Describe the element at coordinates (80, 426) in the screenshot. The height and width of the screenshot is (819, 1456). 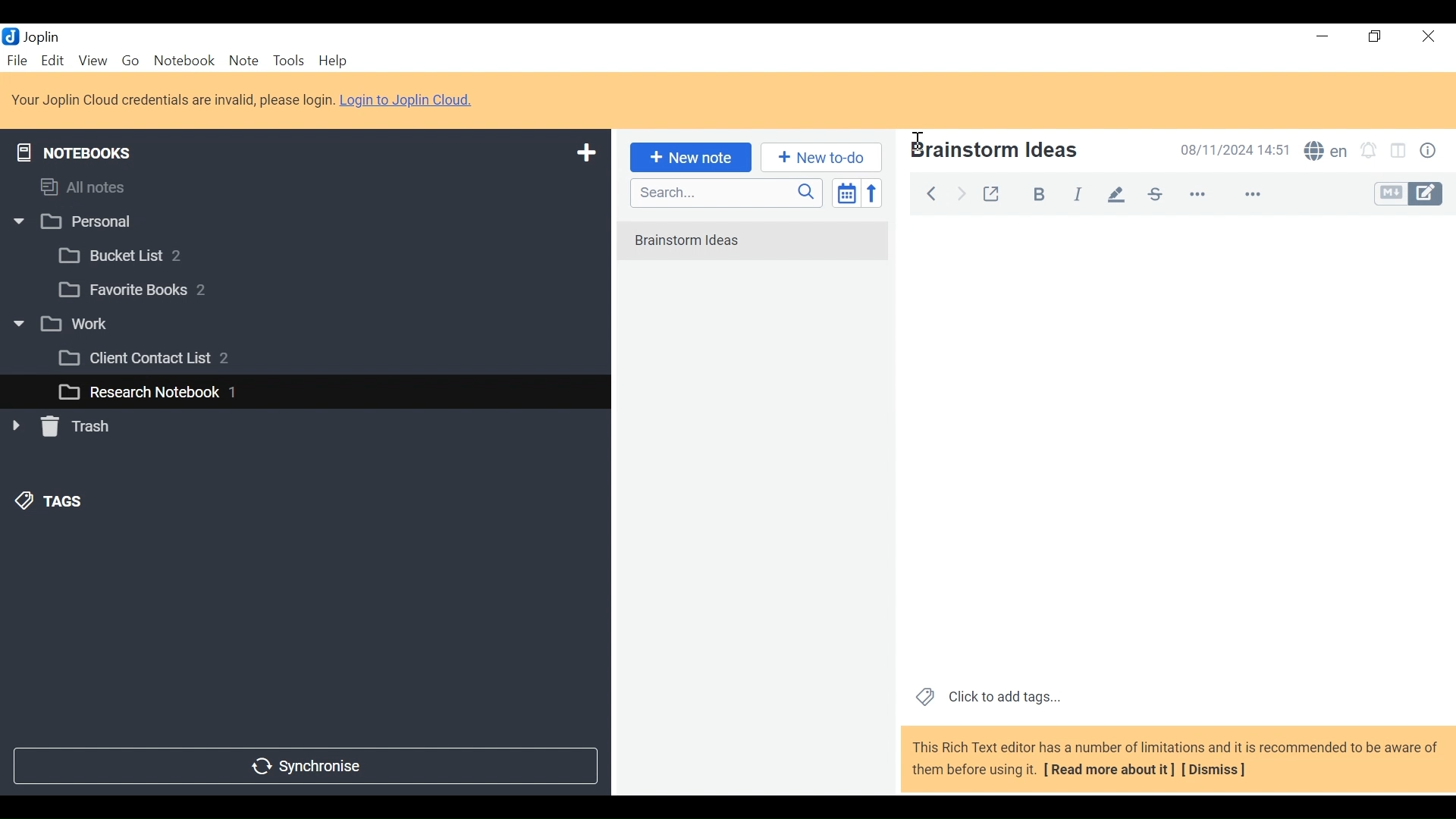
I see `» [ Trash` at that location.